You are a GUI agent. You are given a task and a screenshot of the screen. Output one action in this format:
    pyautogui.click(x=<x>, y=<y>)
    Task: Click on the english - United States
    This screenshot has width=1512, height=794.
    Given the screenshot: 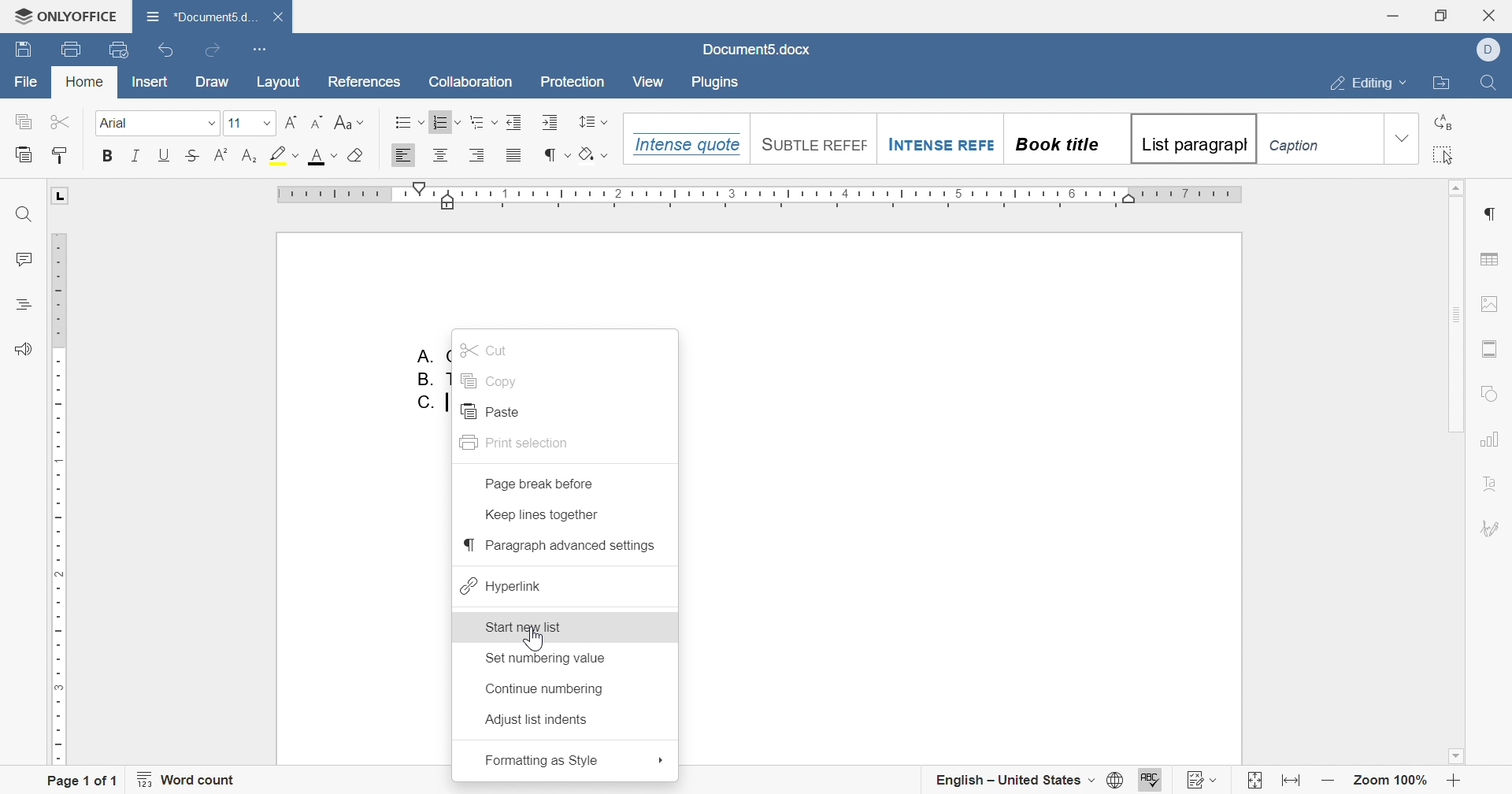 What is the action you would take?
    pyautogui.click(x=1028, y=781)
    